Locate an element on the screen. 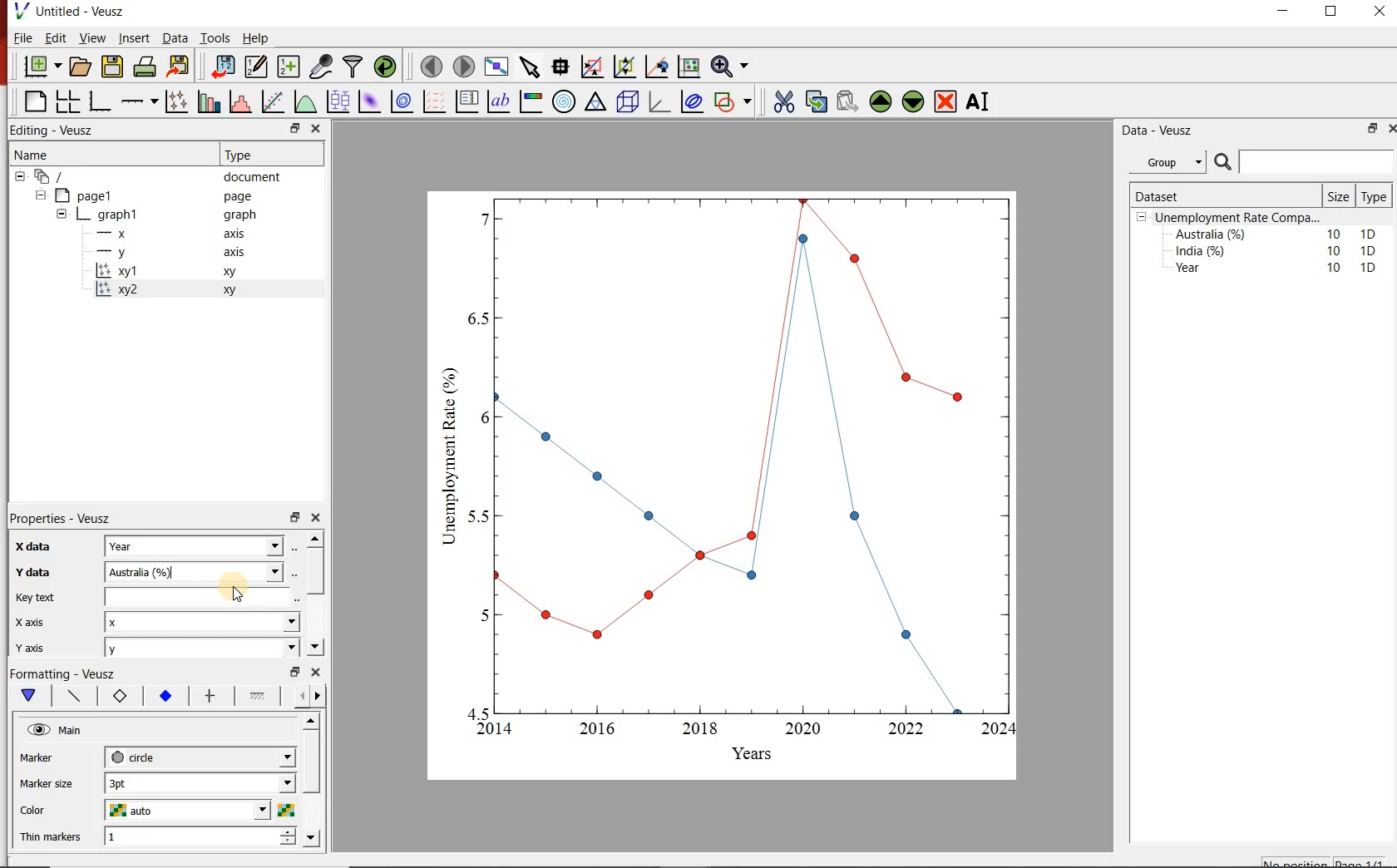 The image size is (1397, 868). move the widgets up is located at coordinates (881, 101).